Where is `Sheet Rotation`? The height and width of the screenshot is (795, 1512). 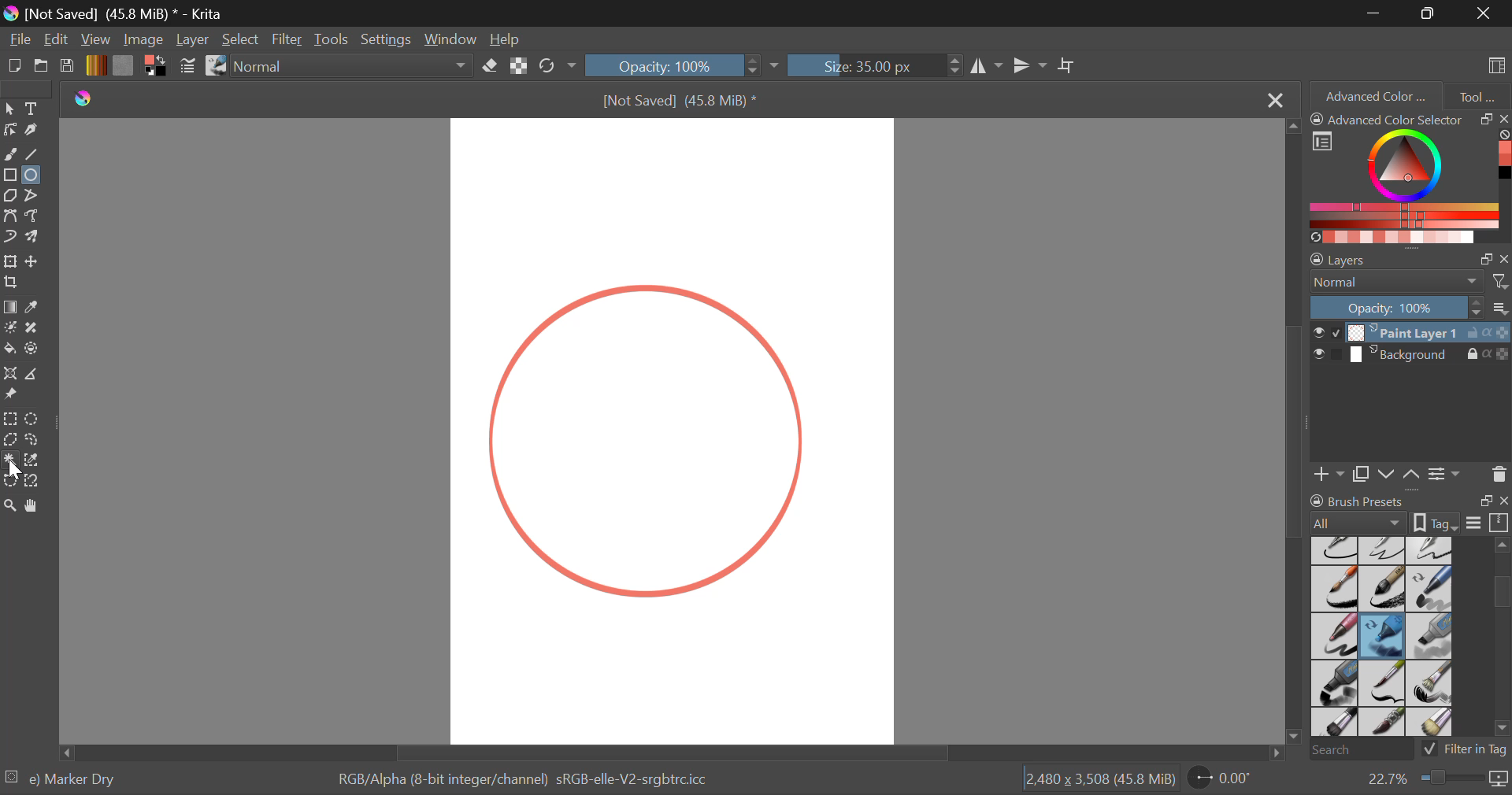
Sheet Rotation is located at coordinates (1228, 778).